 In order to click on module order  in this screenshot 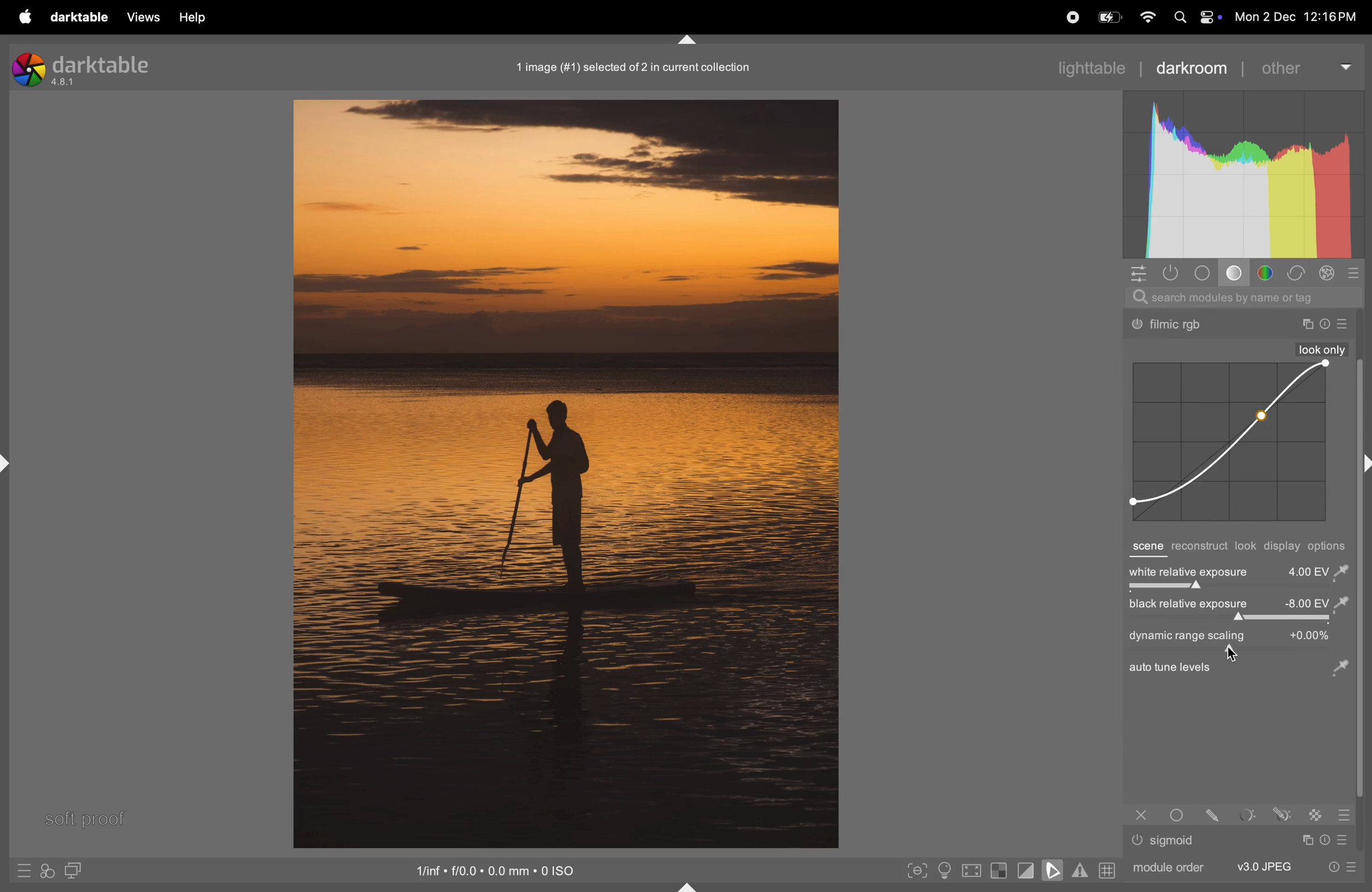, I will do `click(1166, 866)`.